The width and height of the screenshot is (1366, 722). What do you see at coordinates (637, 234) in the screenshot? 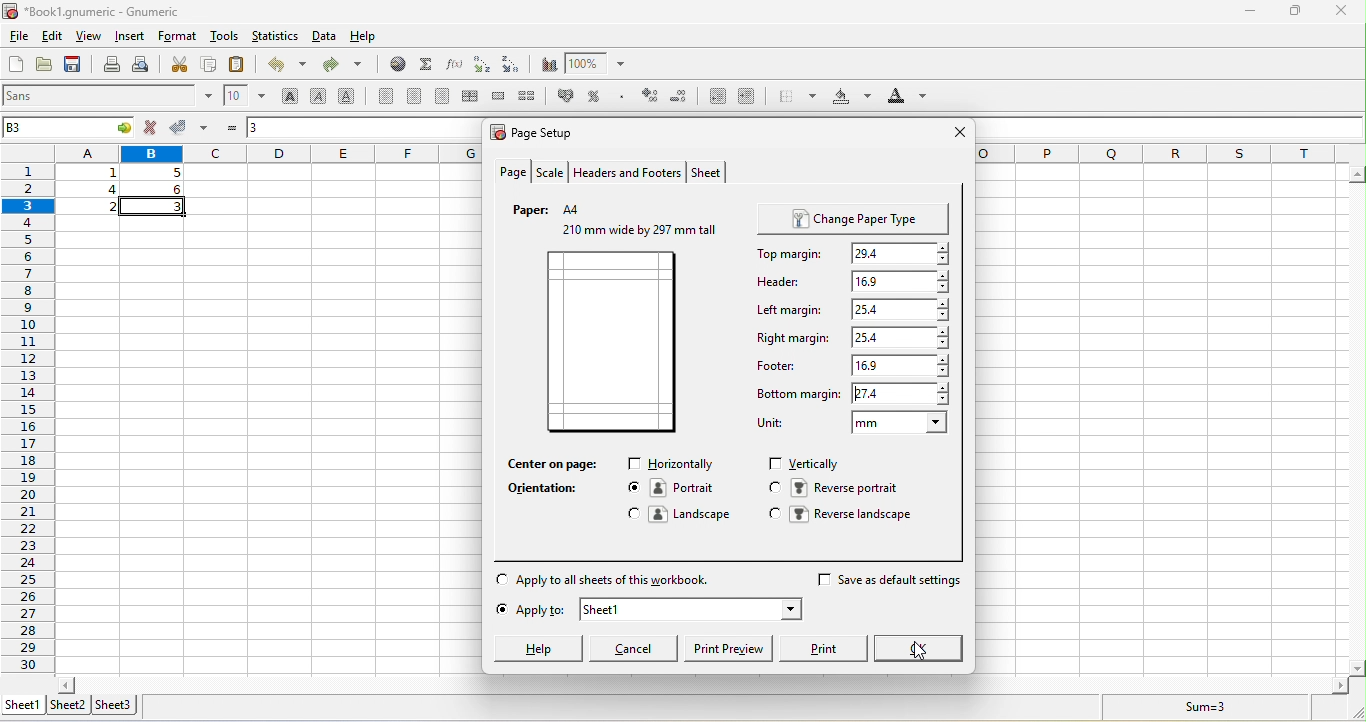
I see `210 mm wide by297 mm tall` at bounding box center [637, 234].